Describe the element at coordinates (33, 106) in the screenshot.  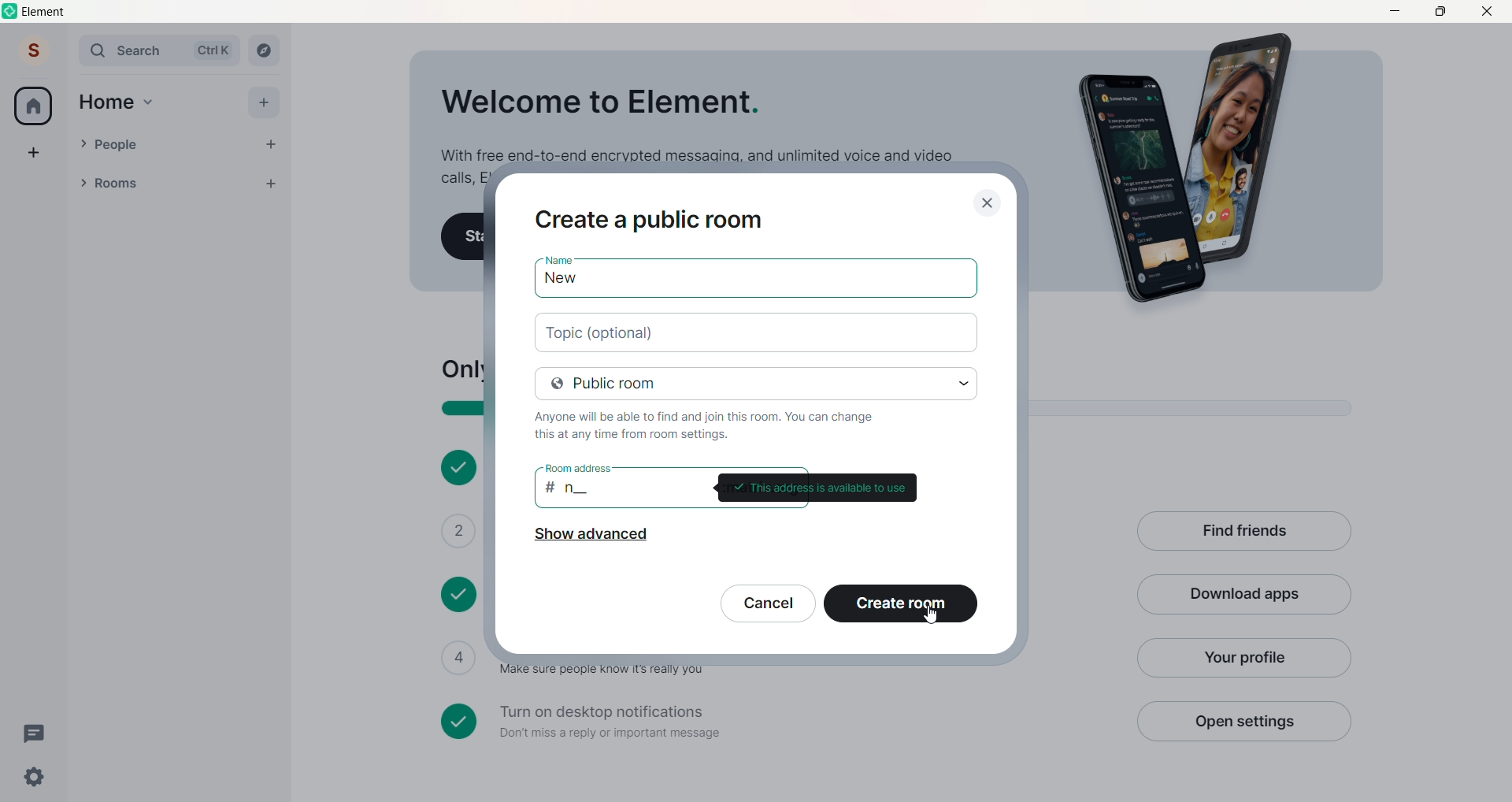
I see `Home` at that location.